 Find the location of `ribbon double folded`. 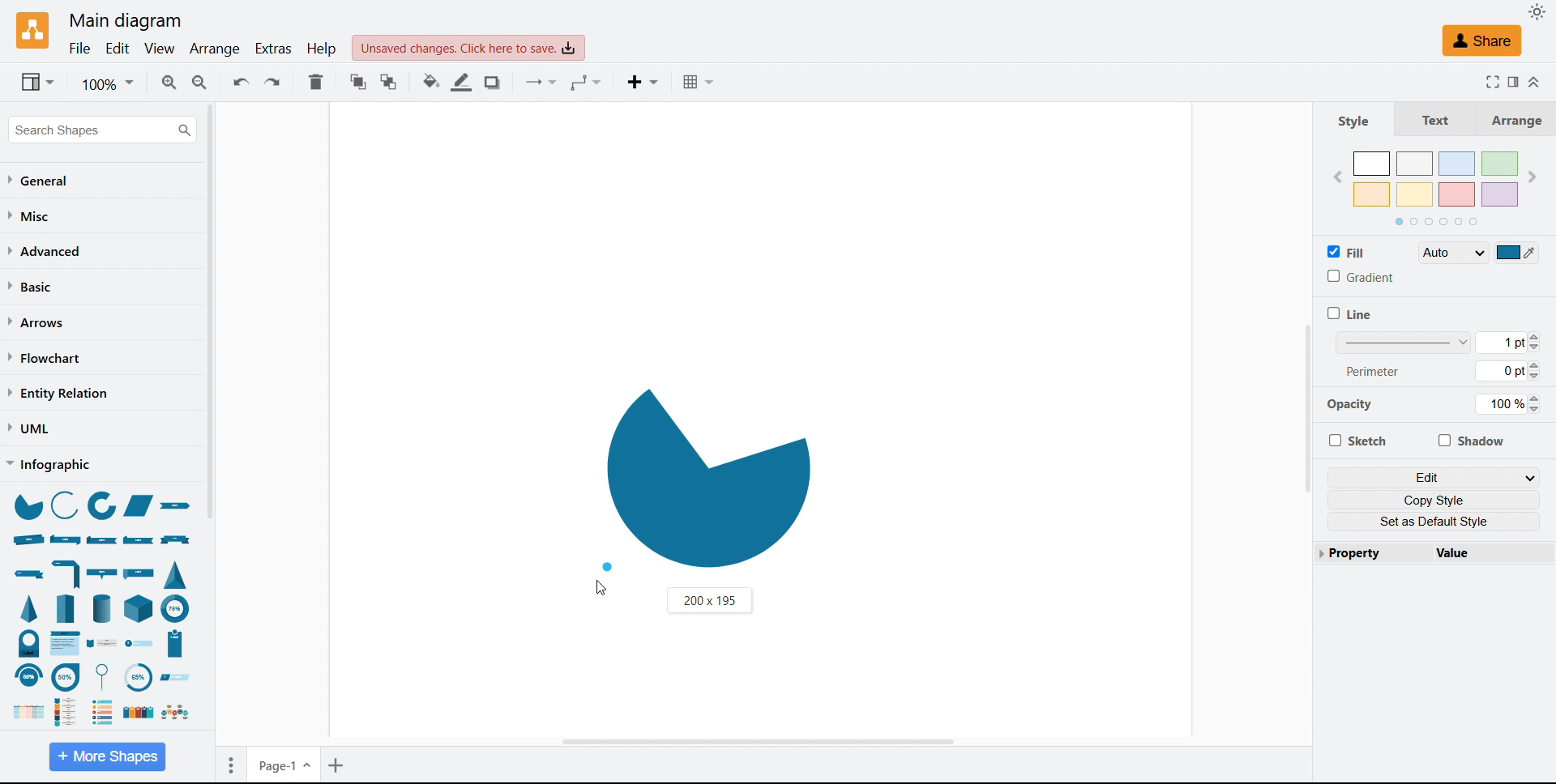

ribbon double folded is located at coordinates (64, 539).